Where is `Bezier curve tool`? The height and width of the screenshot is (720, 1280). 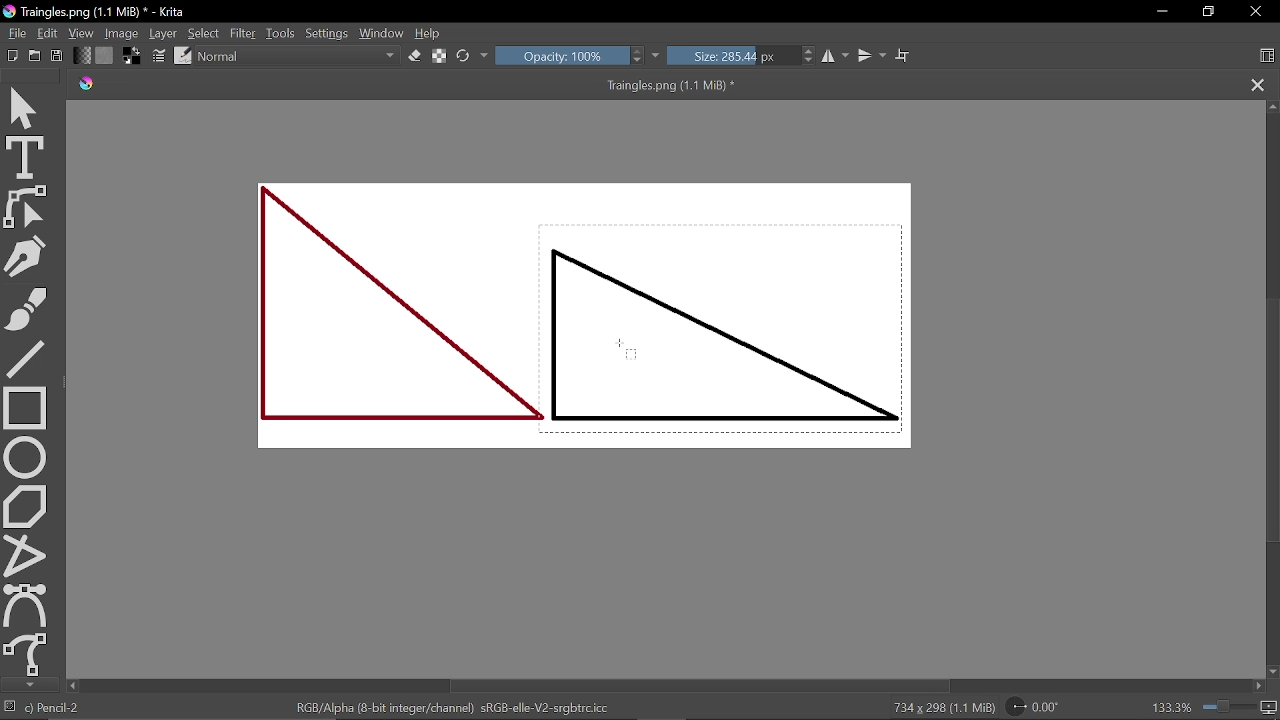 Bezier curve tool is located at coordinates (26, 604).